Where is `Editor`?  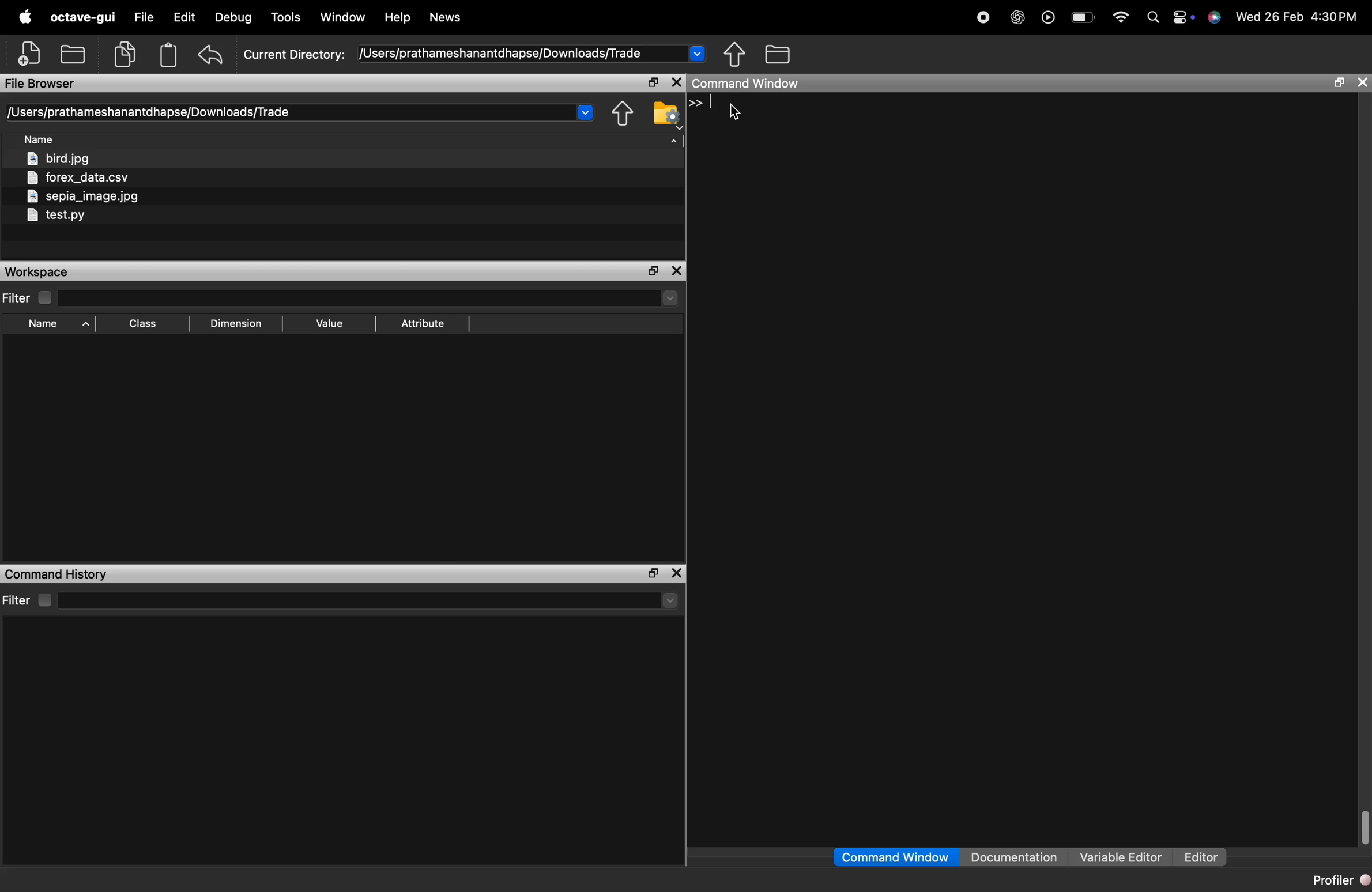 Editor is located at coordinates (1203, 857).